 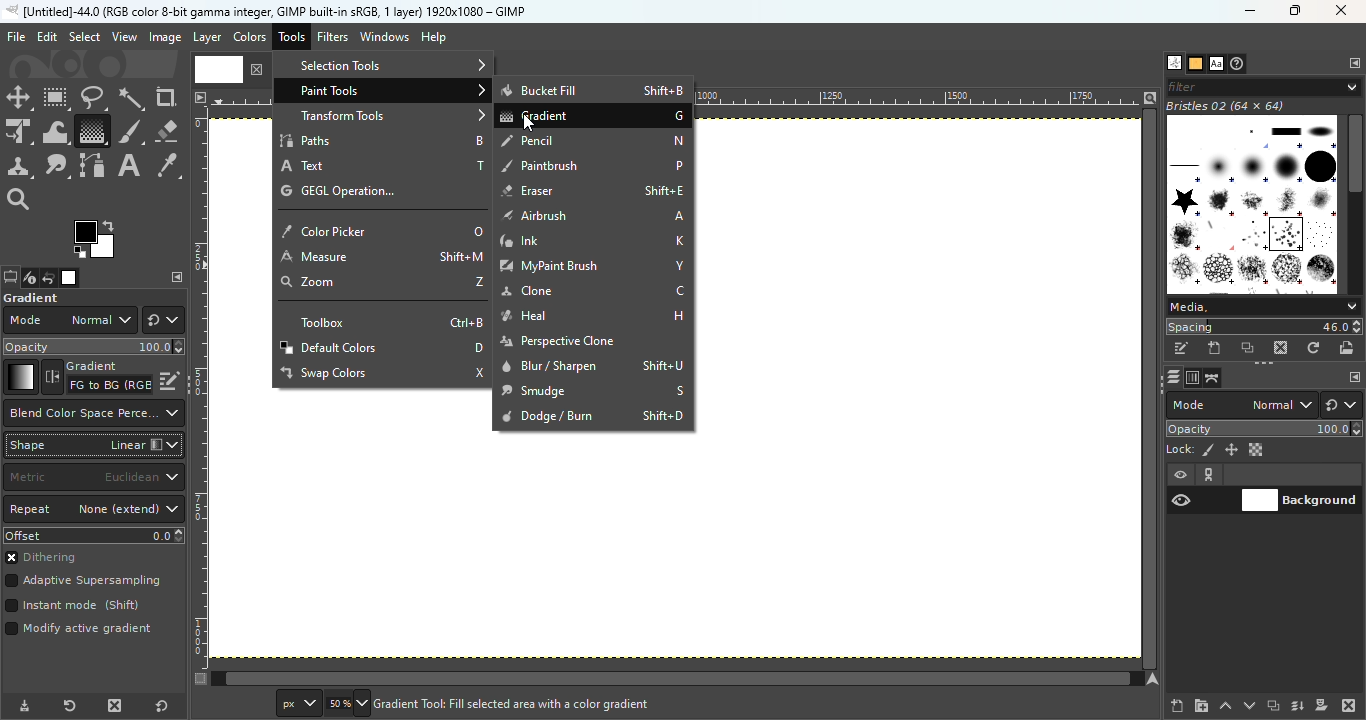 I want to click on GEGL operation, so click(x=356, y=192).